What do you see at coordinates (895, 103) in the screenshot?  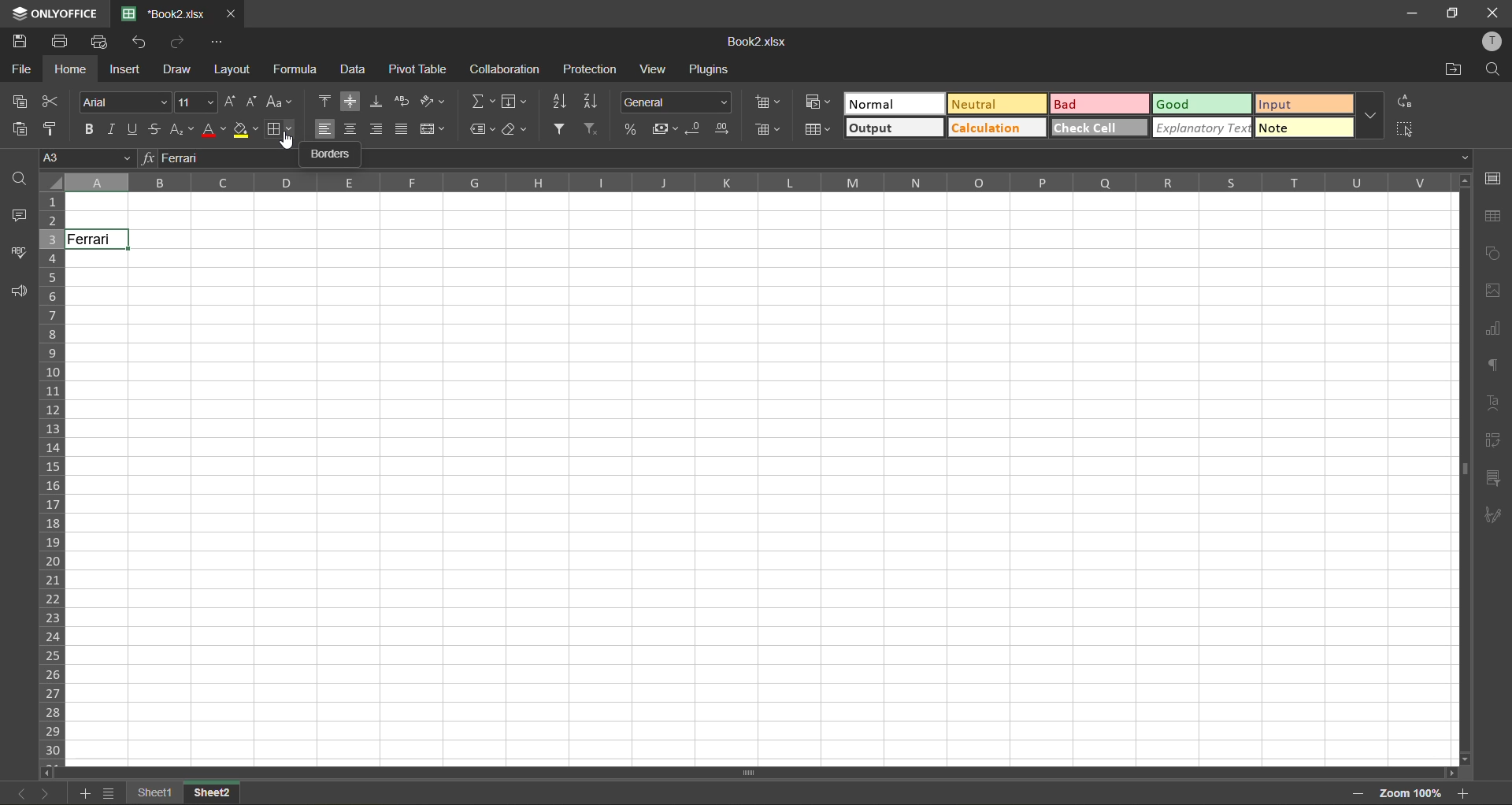 I see `normal` at bounding box center [895, 103].